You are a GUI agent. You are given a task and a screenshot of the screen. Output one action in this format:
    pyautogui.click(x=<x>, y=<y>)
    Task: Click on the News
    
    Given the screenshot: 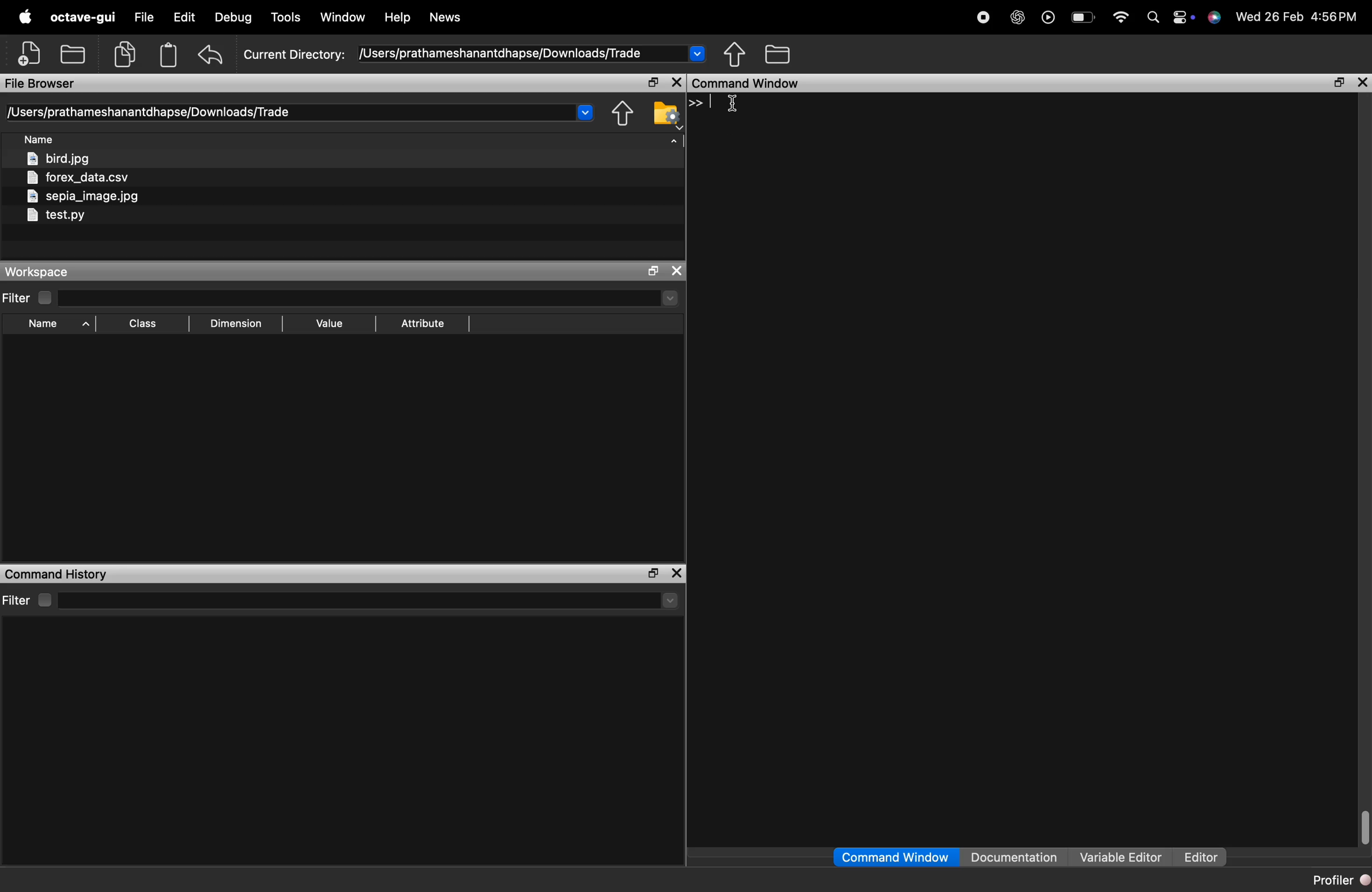 What is the action you would take?
    pyautogui.click(x=444, y=18)
    